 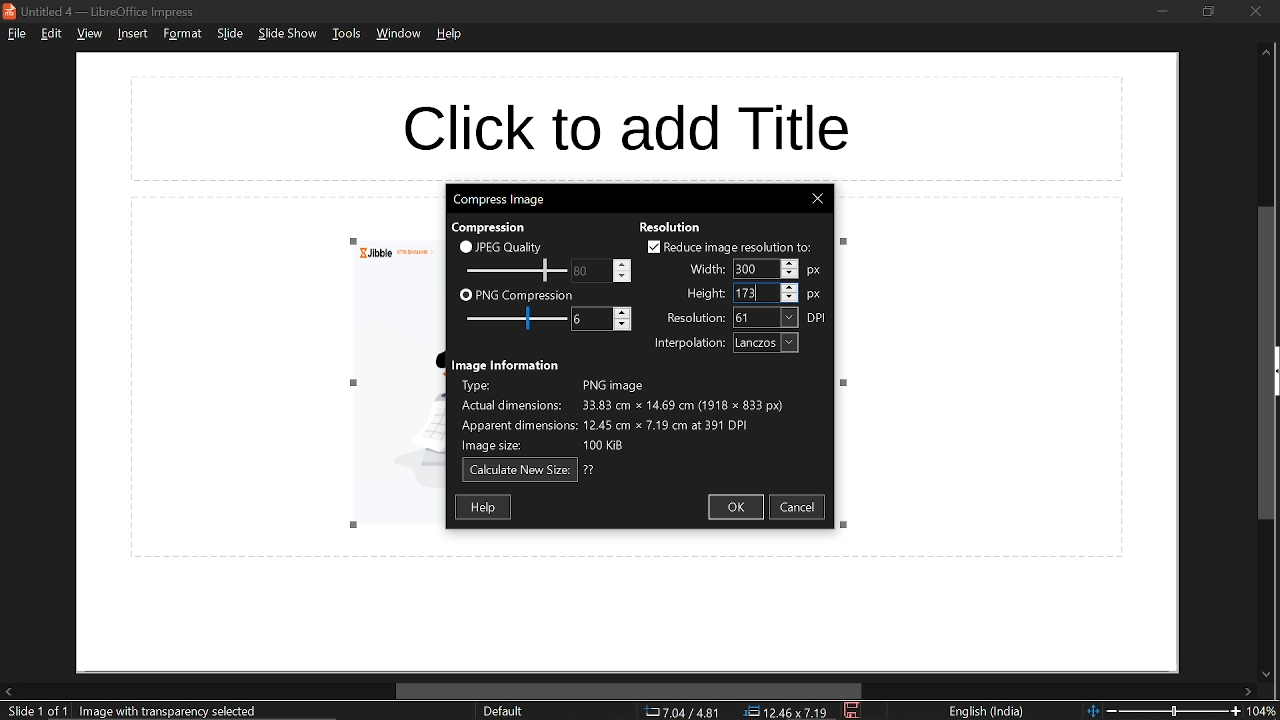 I want to click on file, so click(x=16, y=35).